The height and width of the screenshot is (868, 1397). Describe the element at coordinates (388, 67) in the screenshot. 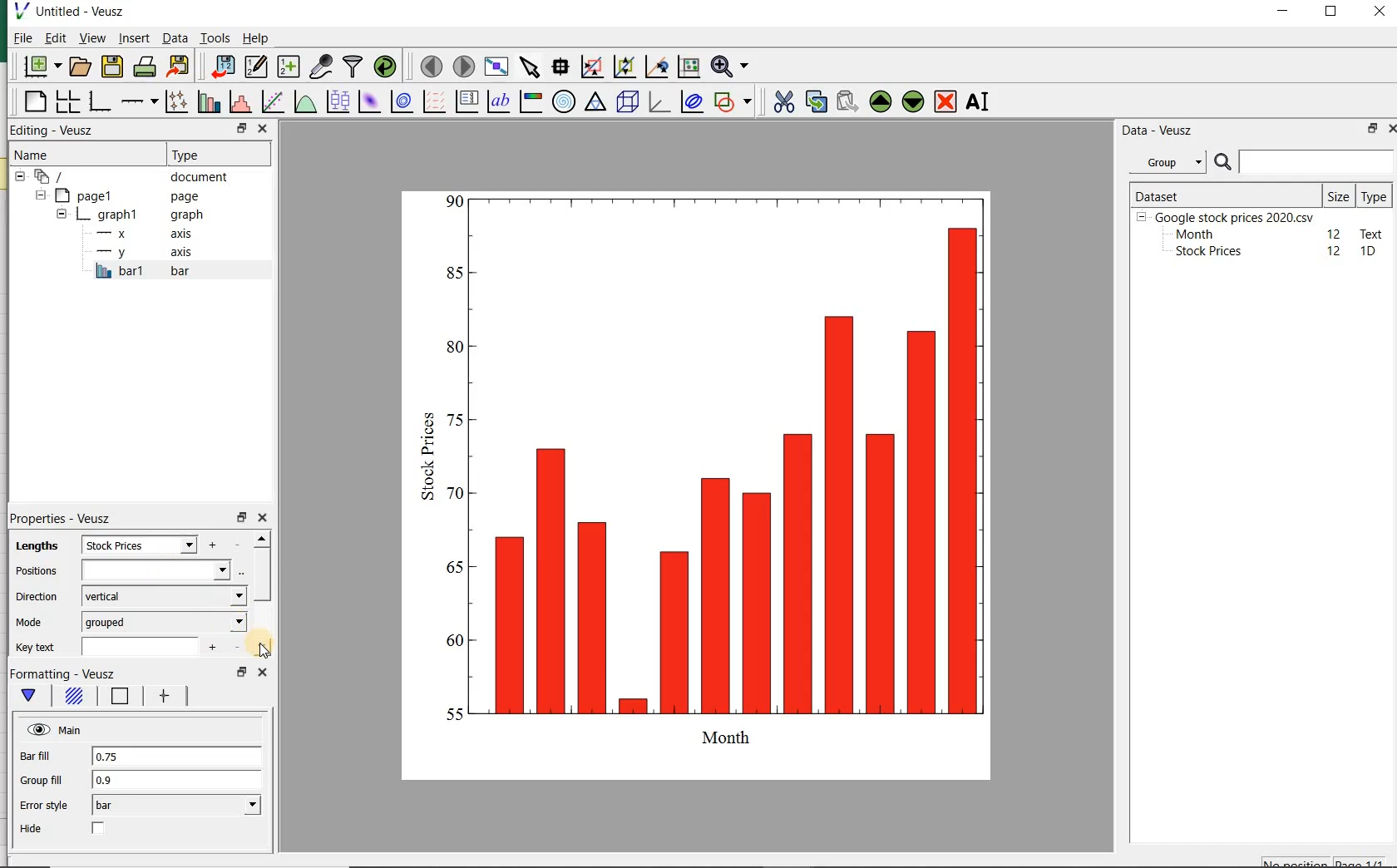

I see `reload linked datasets` at that location.